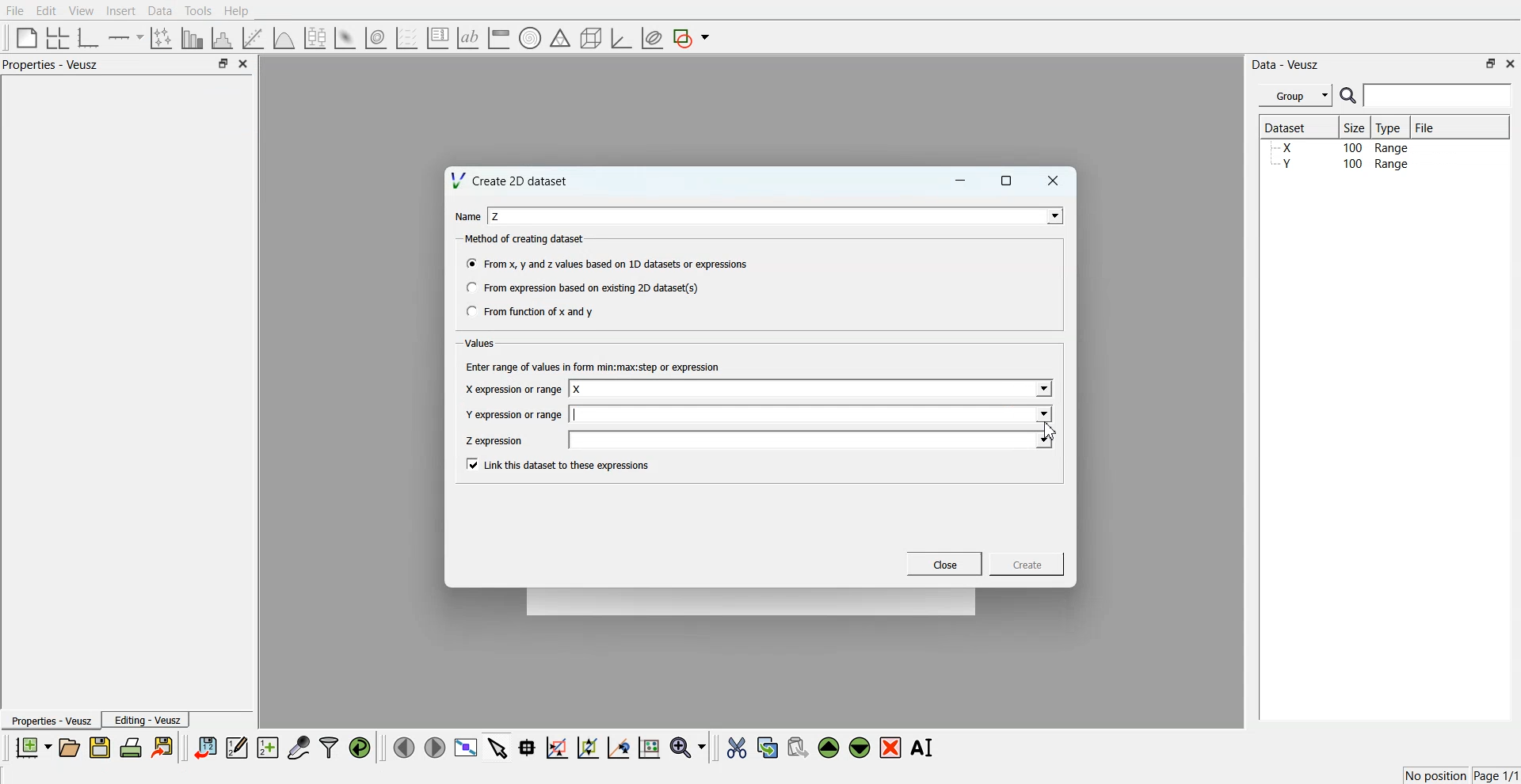 This screenshot has width=1521, height=784. What do you see at coordinates (435, 746) in the screenshot?
I see `Move to the next page` at bounding box center [435, 746].